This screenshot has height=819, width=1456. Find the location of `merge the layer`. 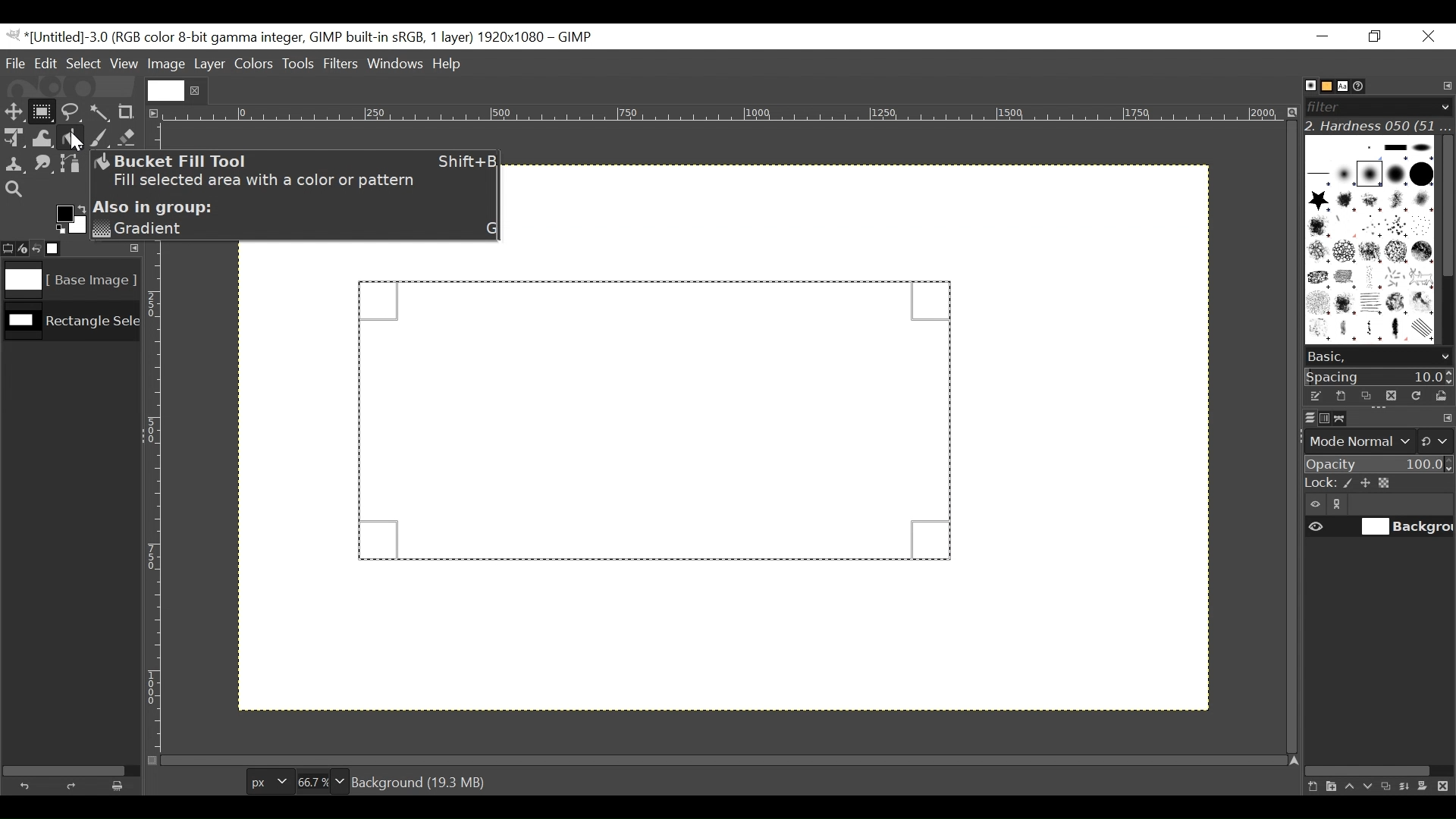

merge the layer is located at coordinates (1408, 786).